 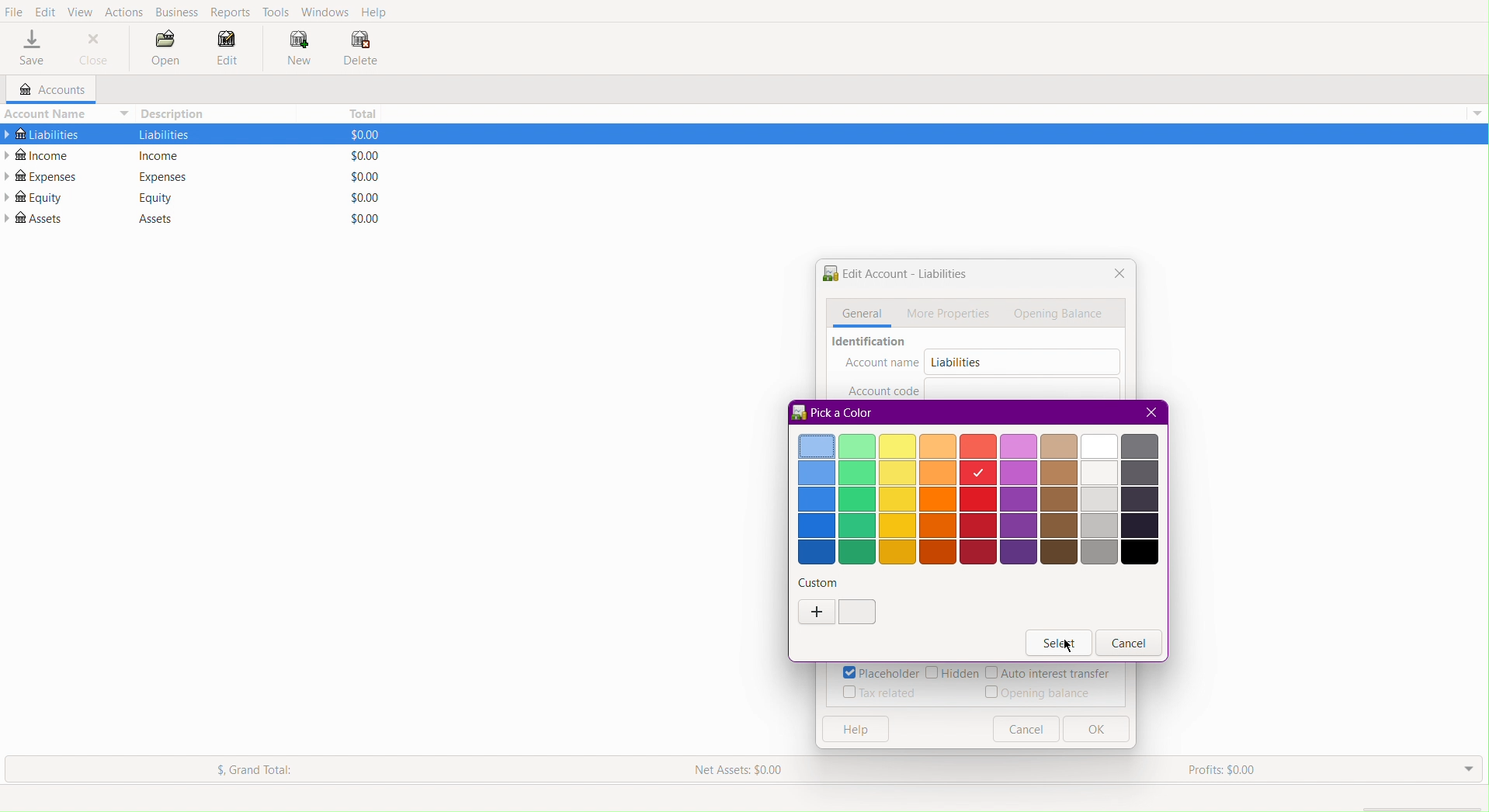 What do you see at coordinates (950, 313) in the screenshot?
I see `More Properties` at bounding box center [950, 313].